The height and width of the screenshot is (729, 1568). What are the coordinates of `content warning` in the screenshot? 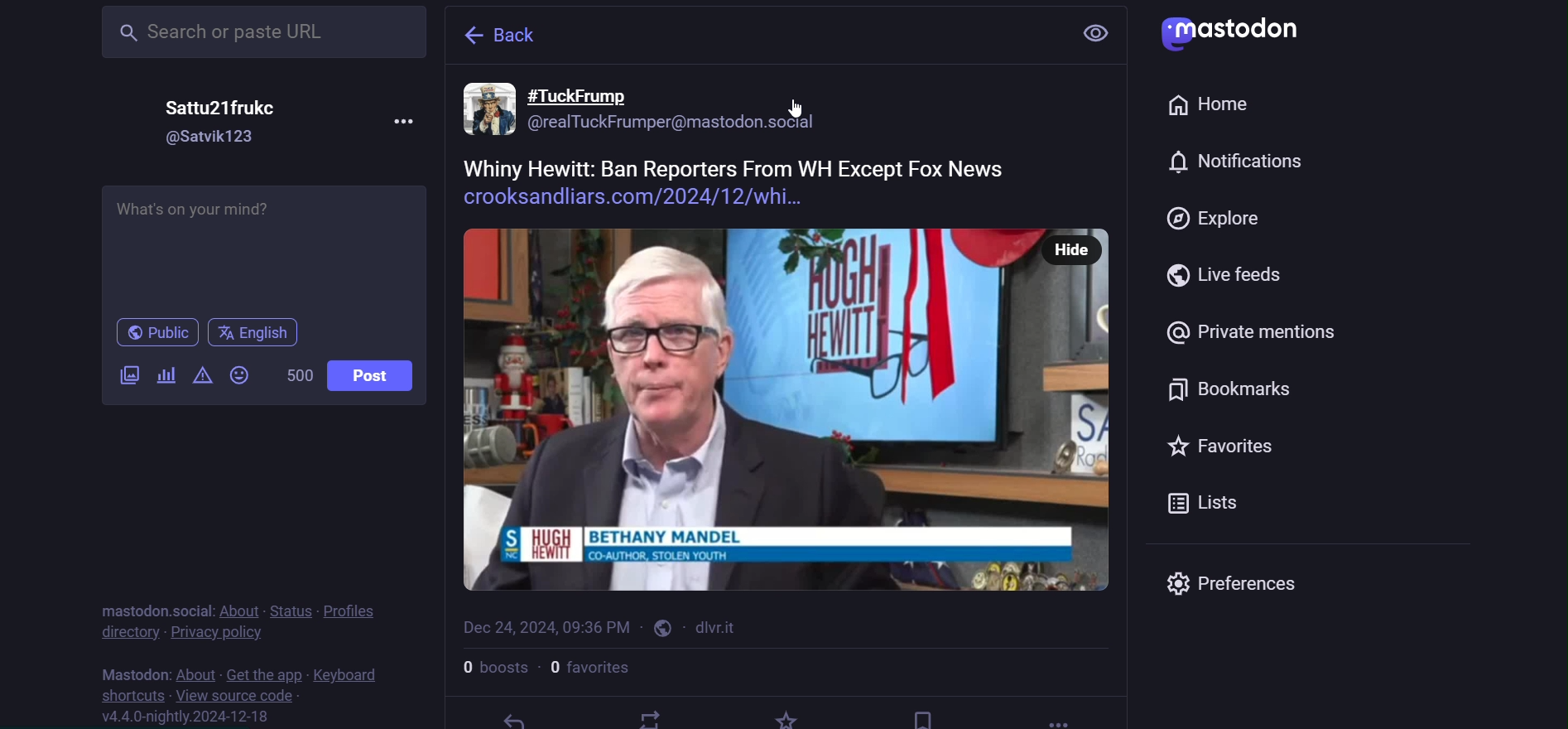 It's located at (201, 378).